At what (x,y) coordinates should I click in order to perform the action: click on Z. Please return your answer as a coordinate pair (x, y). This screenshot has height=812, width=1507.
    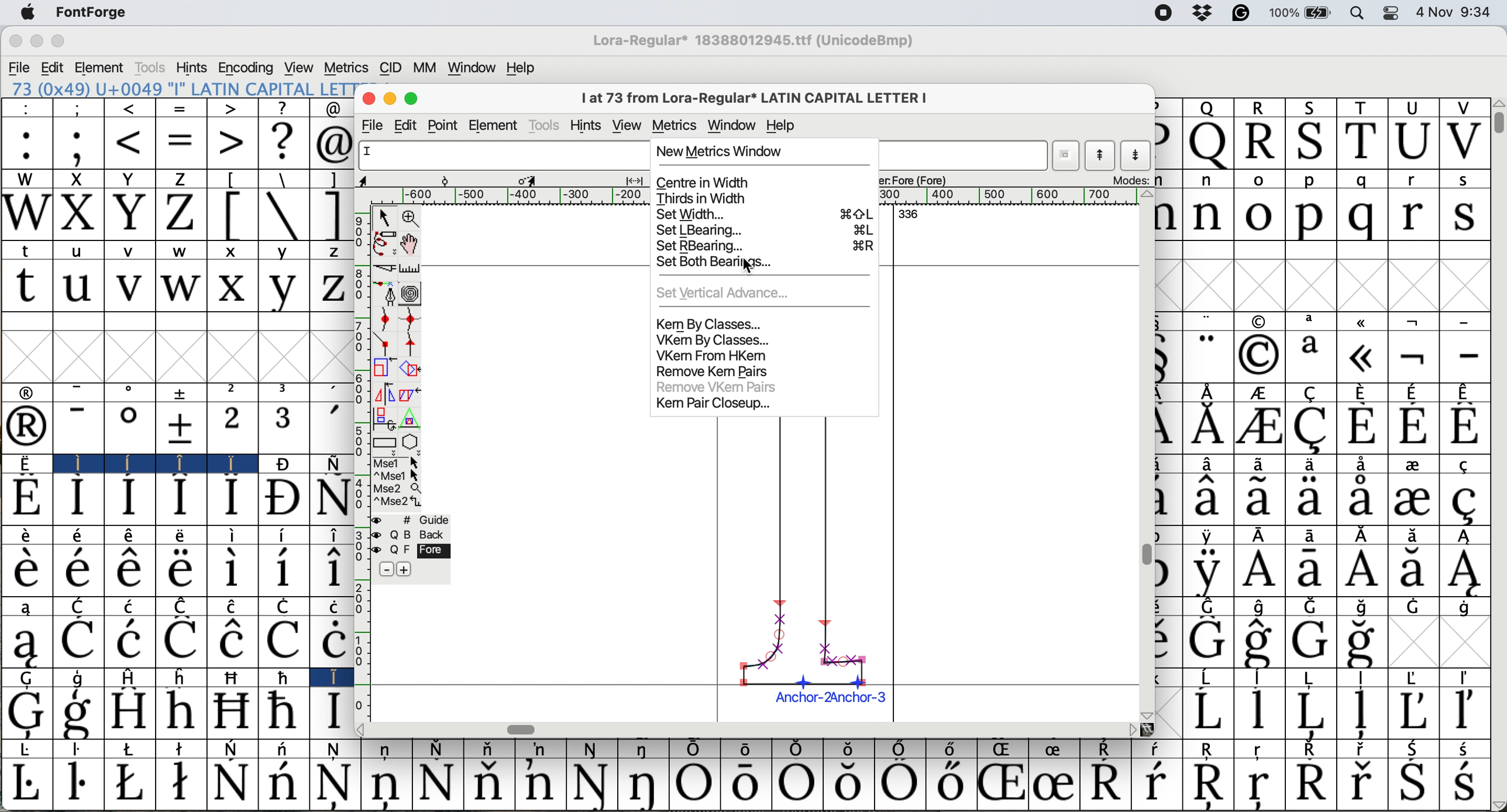
    Looking at the image, I should click on (182, 215).